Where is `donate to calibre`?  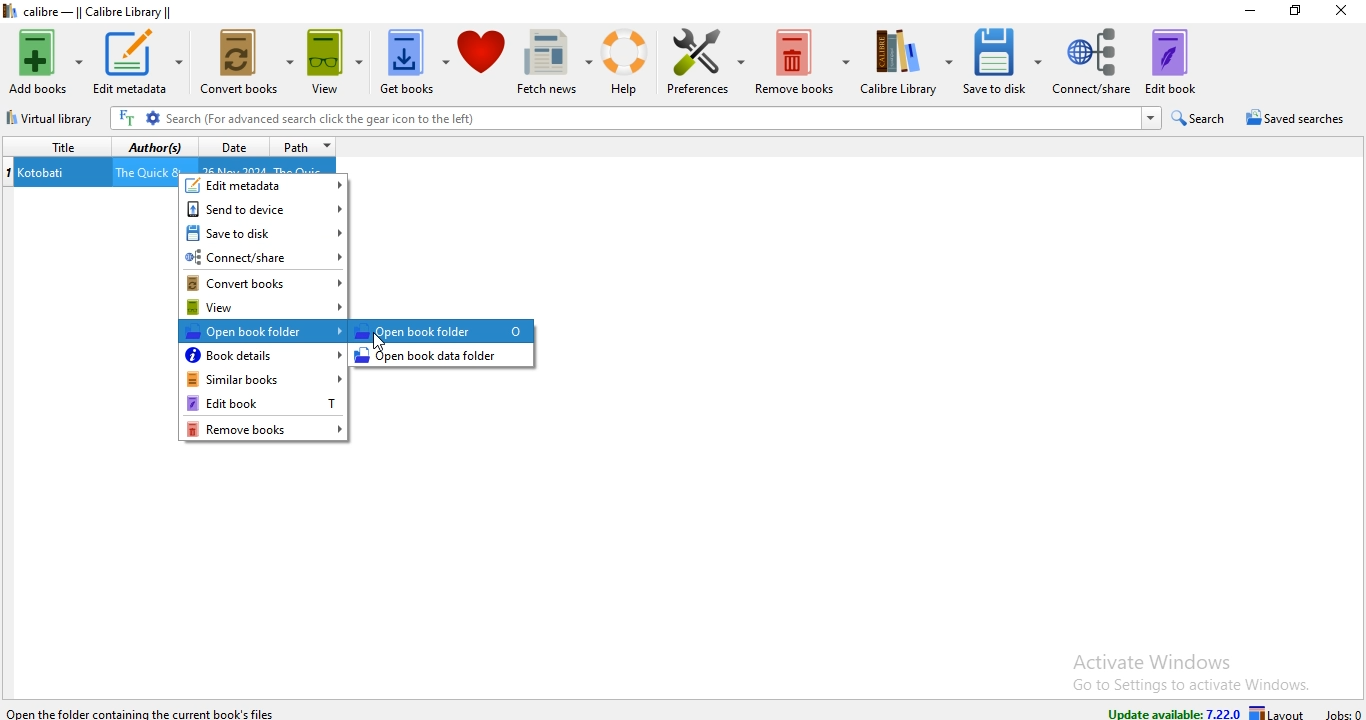 donate to calibre is located at coordinates (481, 61).